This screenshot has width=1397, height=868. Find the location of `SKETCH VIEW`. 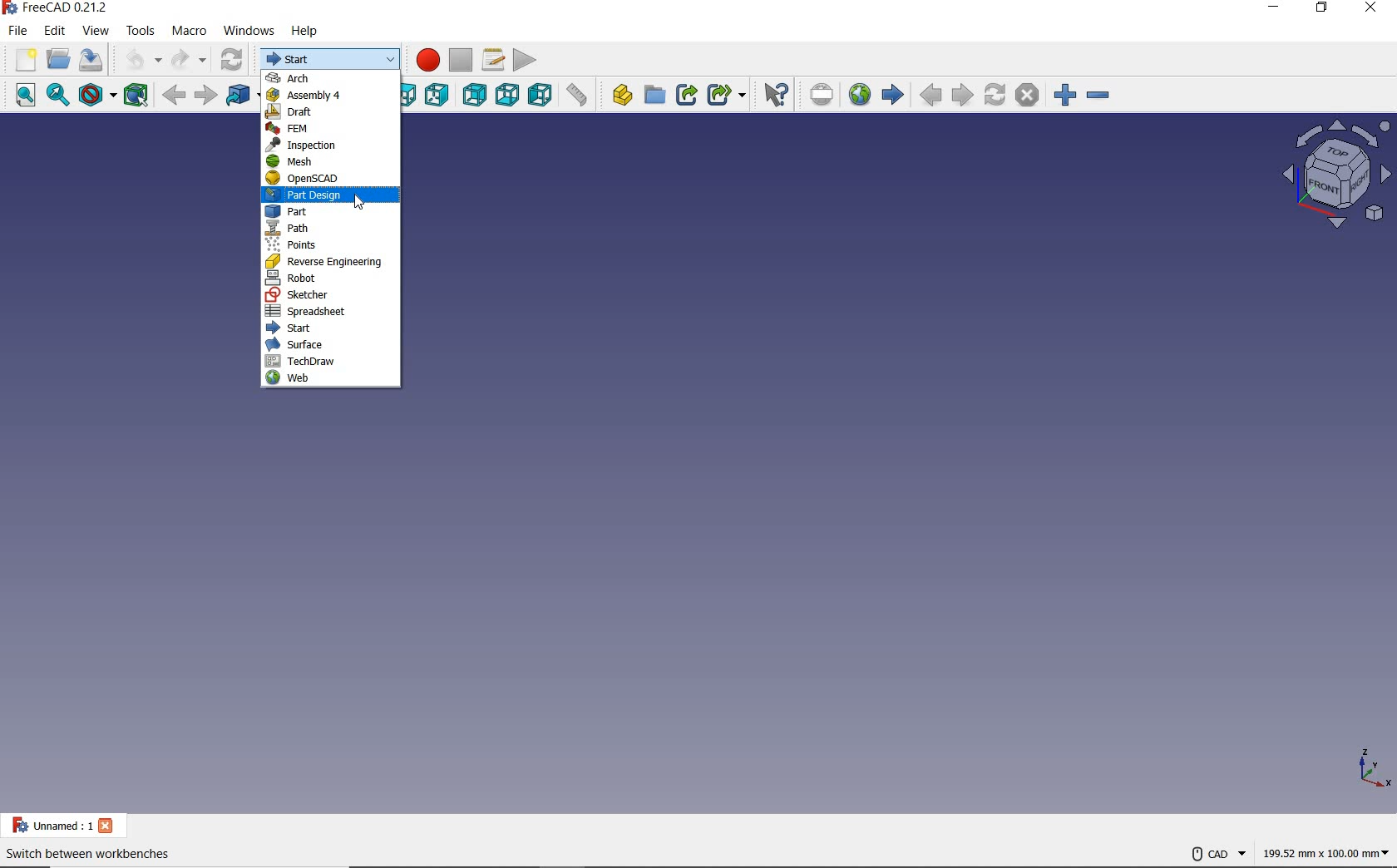

SKETCH VIEW is located at coordinates (1327, 173).